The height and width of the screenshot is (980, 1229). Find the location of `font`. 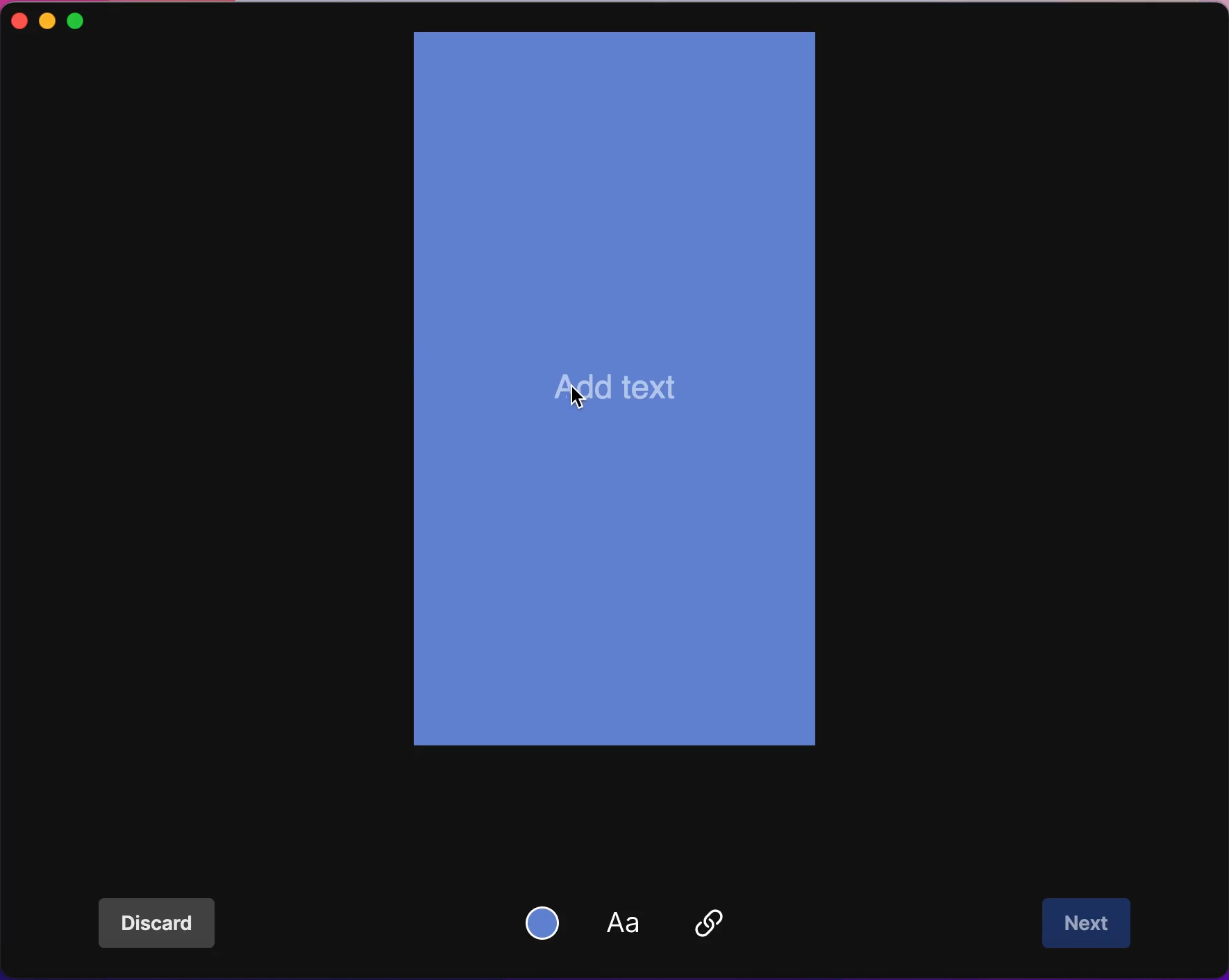

font is located at coordinates (631, 925).